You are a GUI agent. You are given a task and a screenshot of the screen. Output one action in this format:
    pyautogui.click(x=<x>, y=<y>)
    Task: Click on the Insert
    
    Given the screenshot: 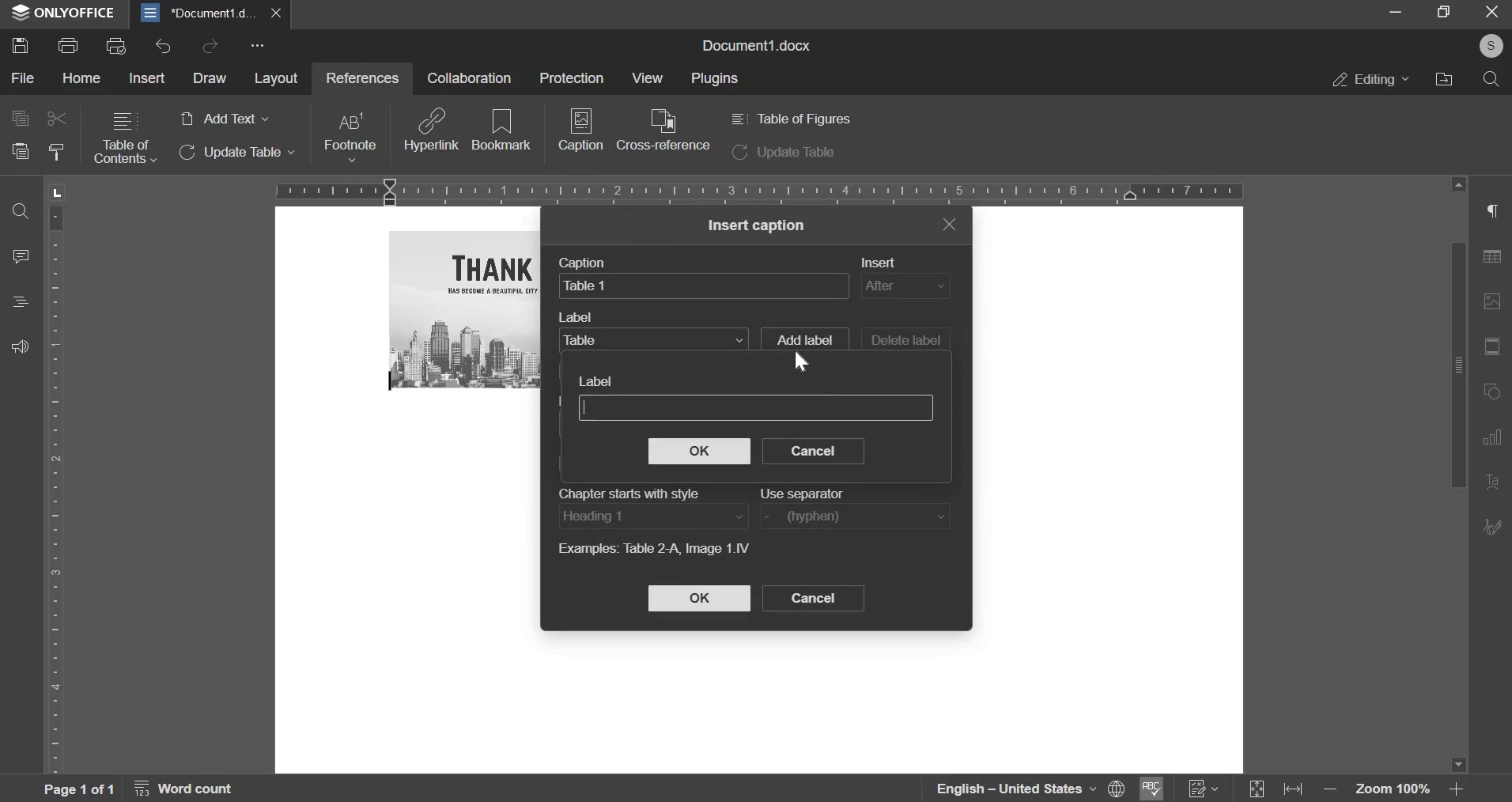 What is the action you would take?
    pyautogui.click(x=877, y=262)
    